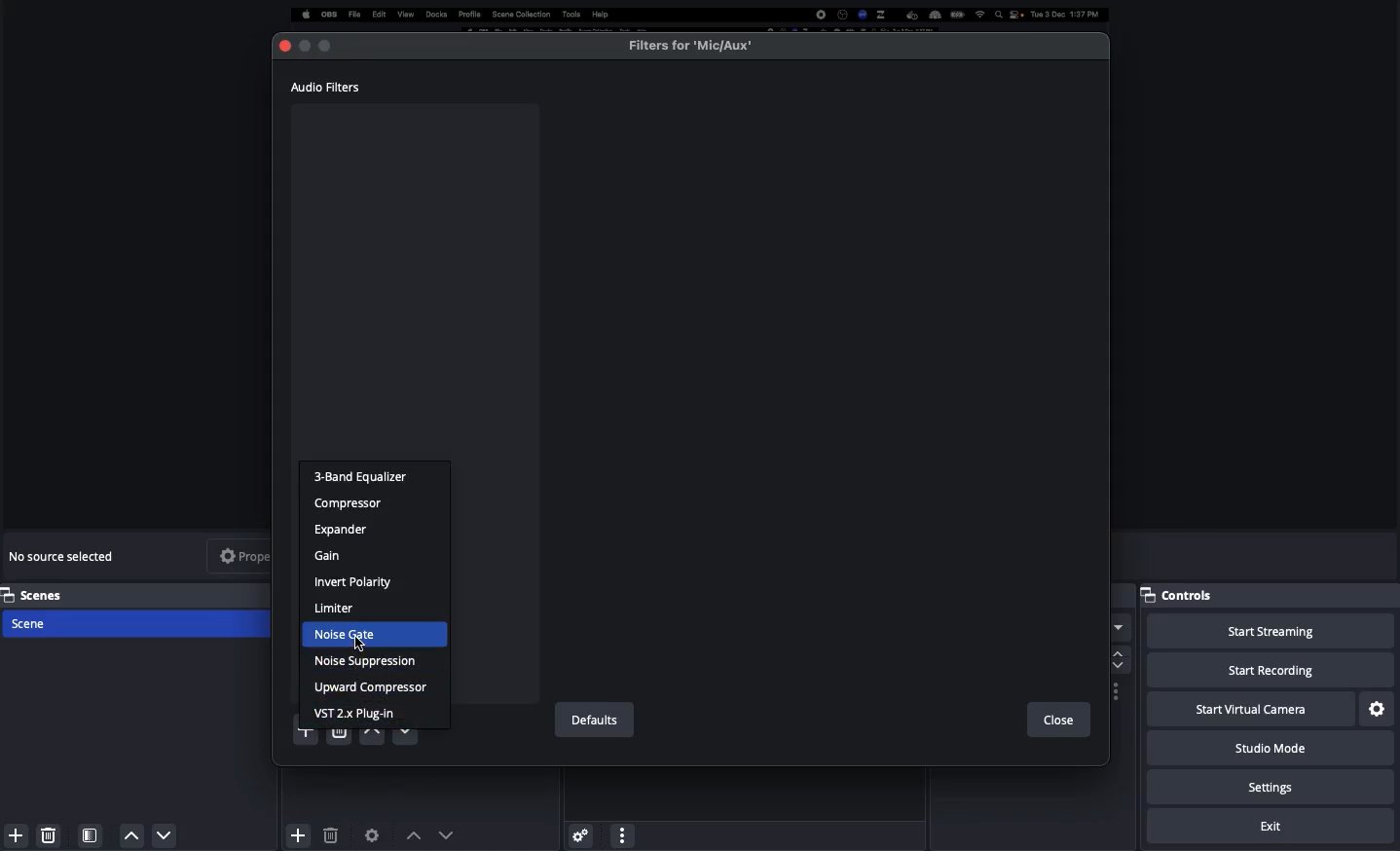 This screenshot has width=1400, height=851. What do you see at coordinates (360, 648) in the screenshot?
I see `Click` at bounding box center [360, 648].